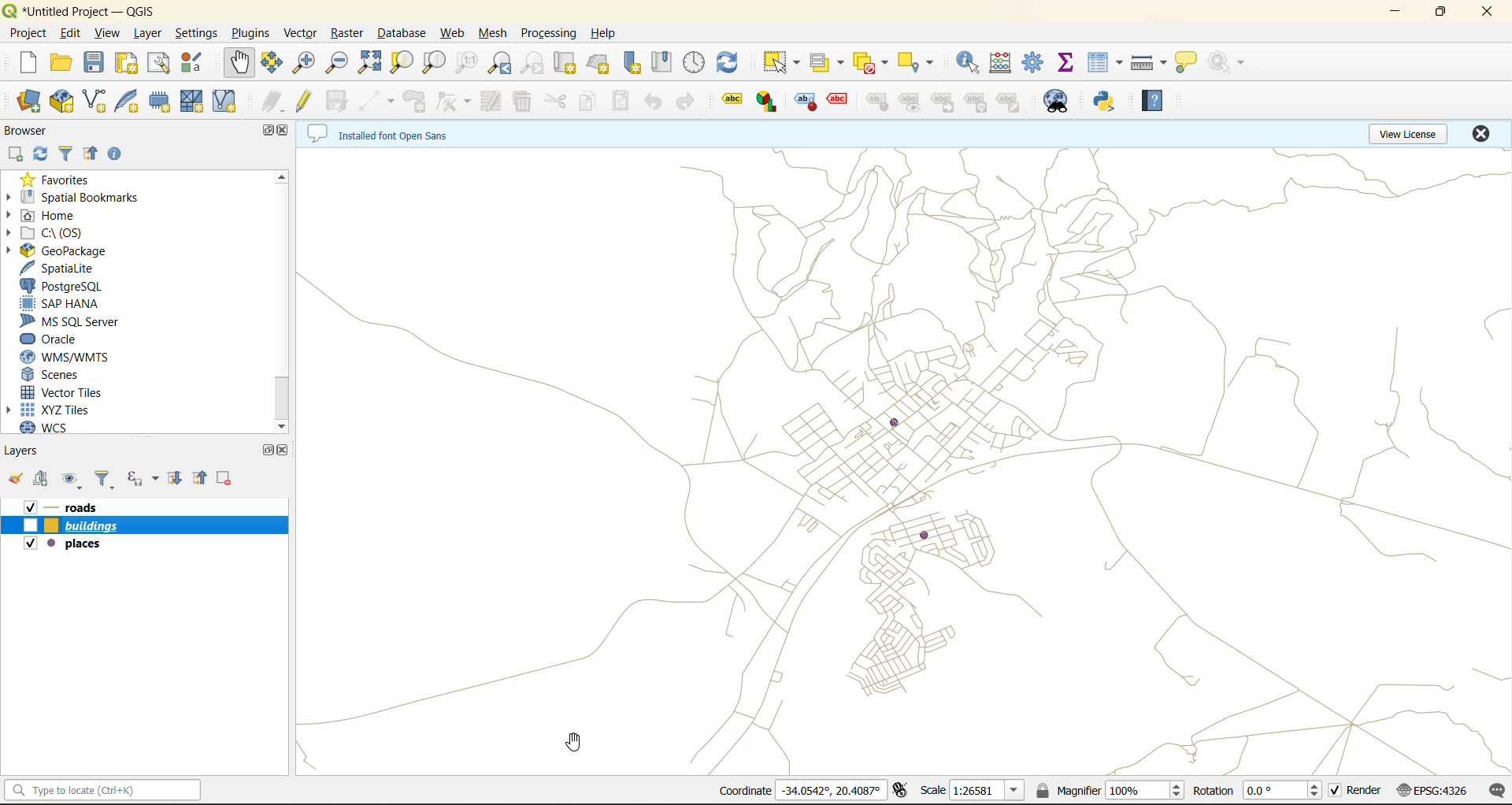  What do you see at coordinates (146, 505) in the screenshot?
I see `layers` at bounding box center [146, 505].